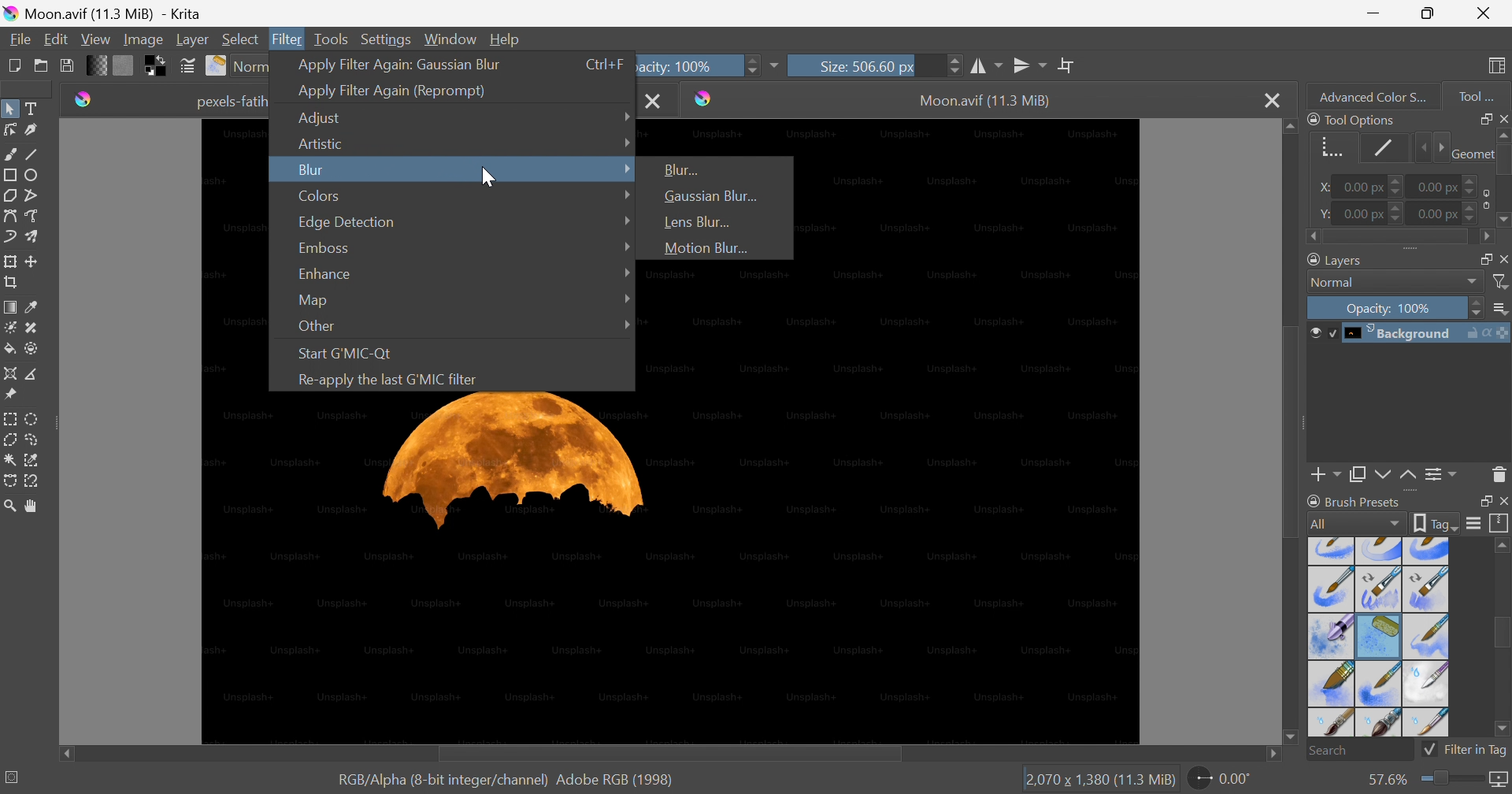  I want to click on Text tool, so click(31, 108).